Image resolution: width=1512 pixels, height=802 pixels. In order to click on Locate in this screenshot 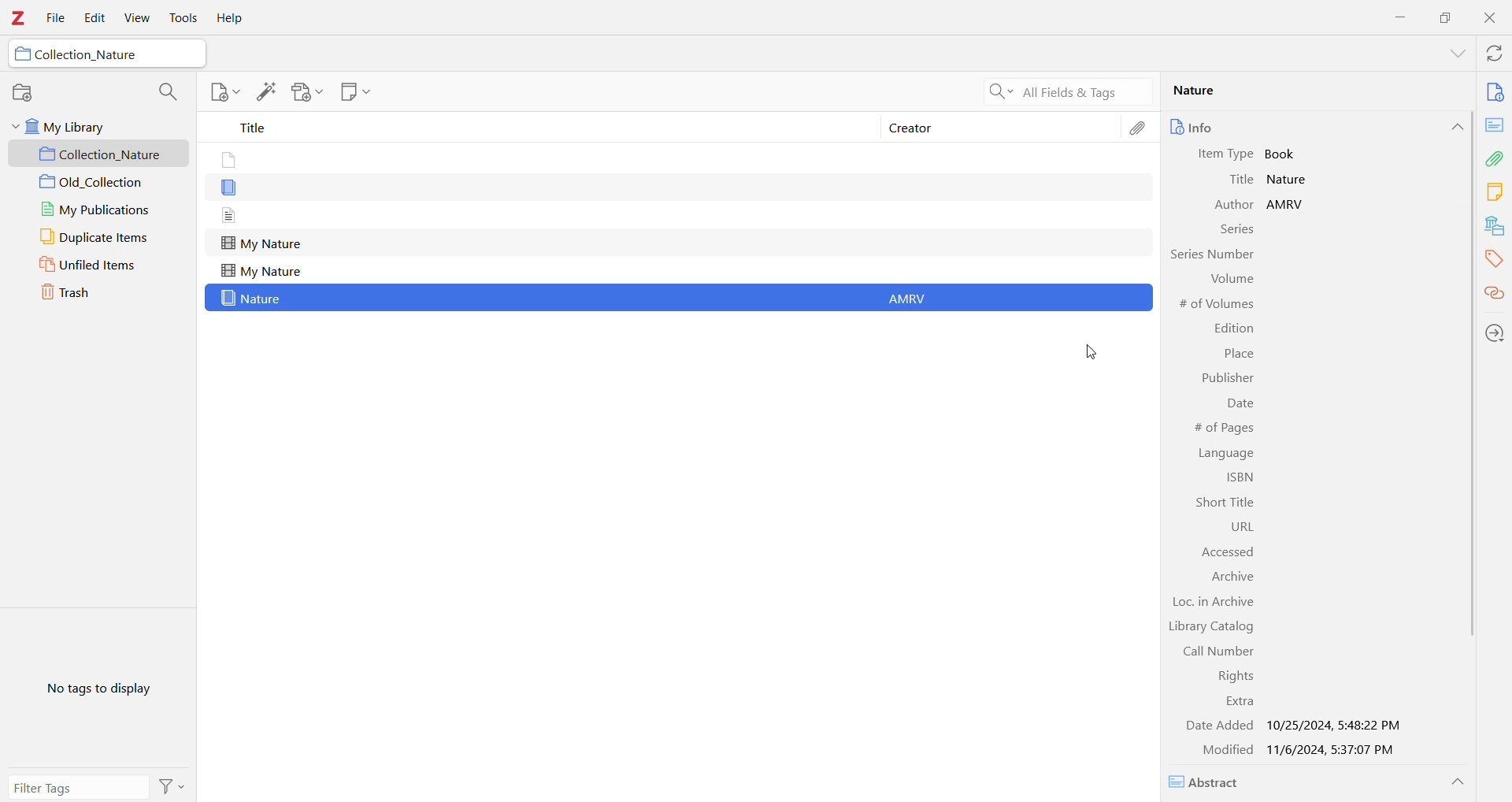, I will do `click(1495, 334)`.